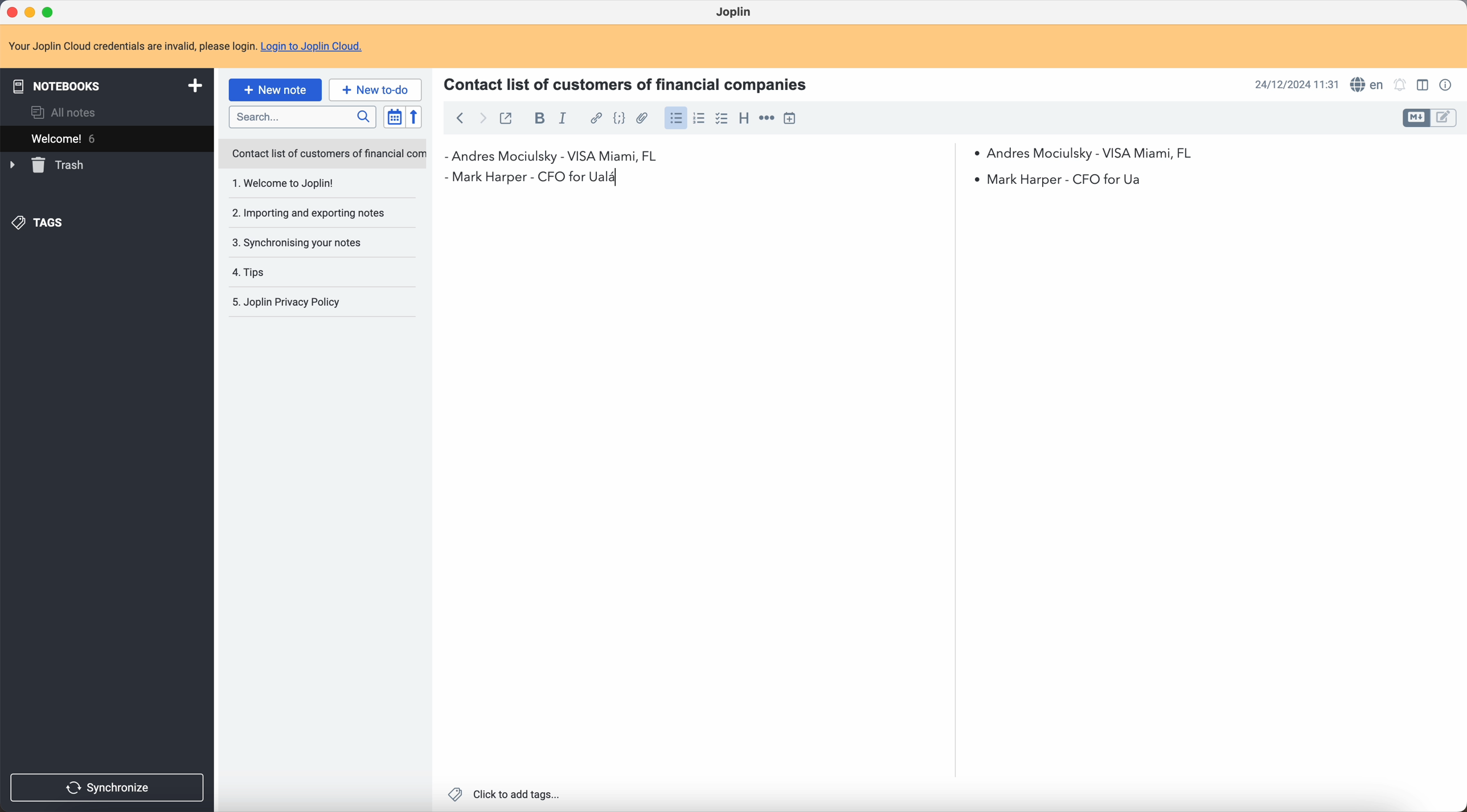  Describe the element at coordinates (563, 120) in the screenshot. I see `italic` at that location.